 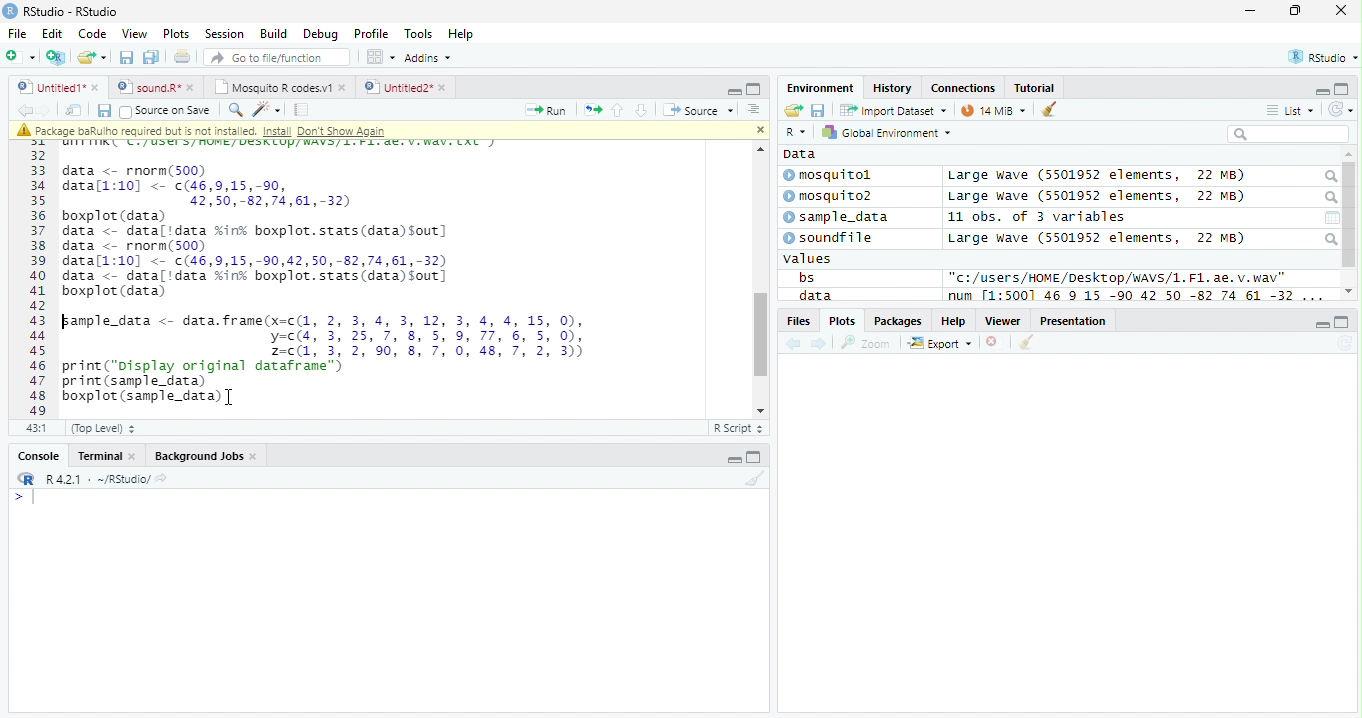 What do you see at coordinates (1252, 10) in the screenshot?
I see `minimize` at bounding box center [1252, 10].